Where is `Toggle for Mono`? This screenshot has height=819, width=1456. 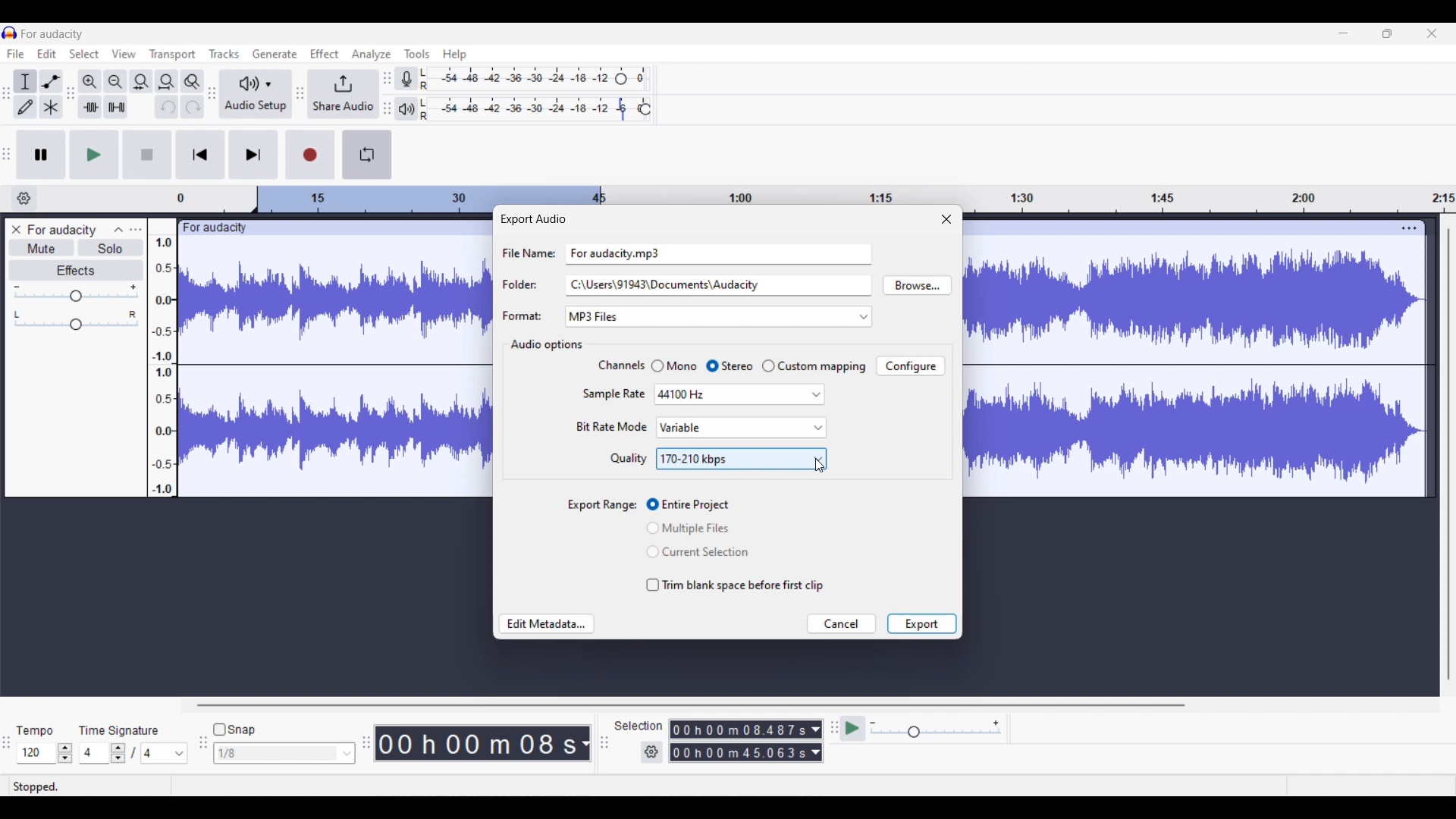
Toggle for Mono is located at coordinates (673, 366).